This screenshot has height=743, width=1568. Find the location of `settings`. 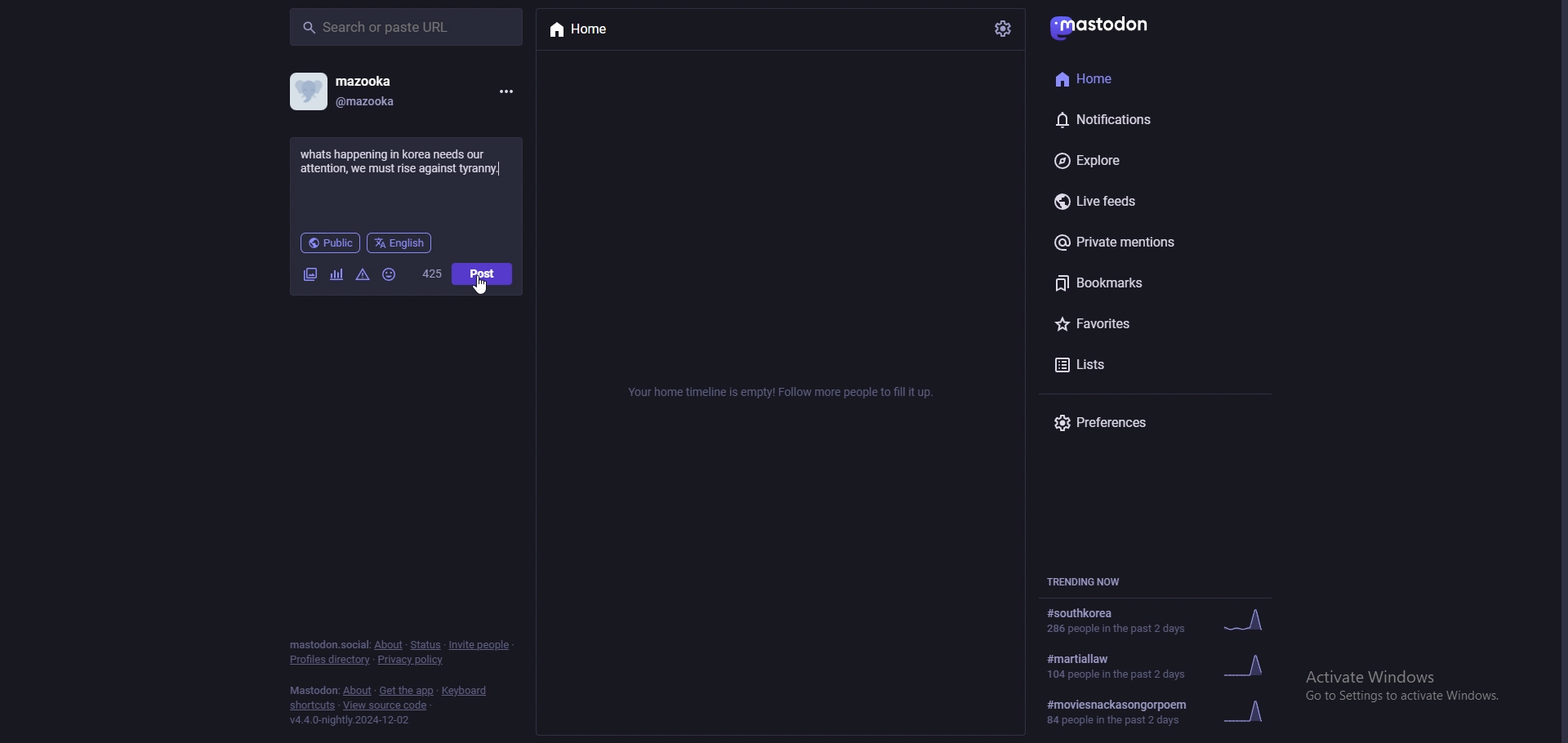

settings is located at coordinates (1004, 29).